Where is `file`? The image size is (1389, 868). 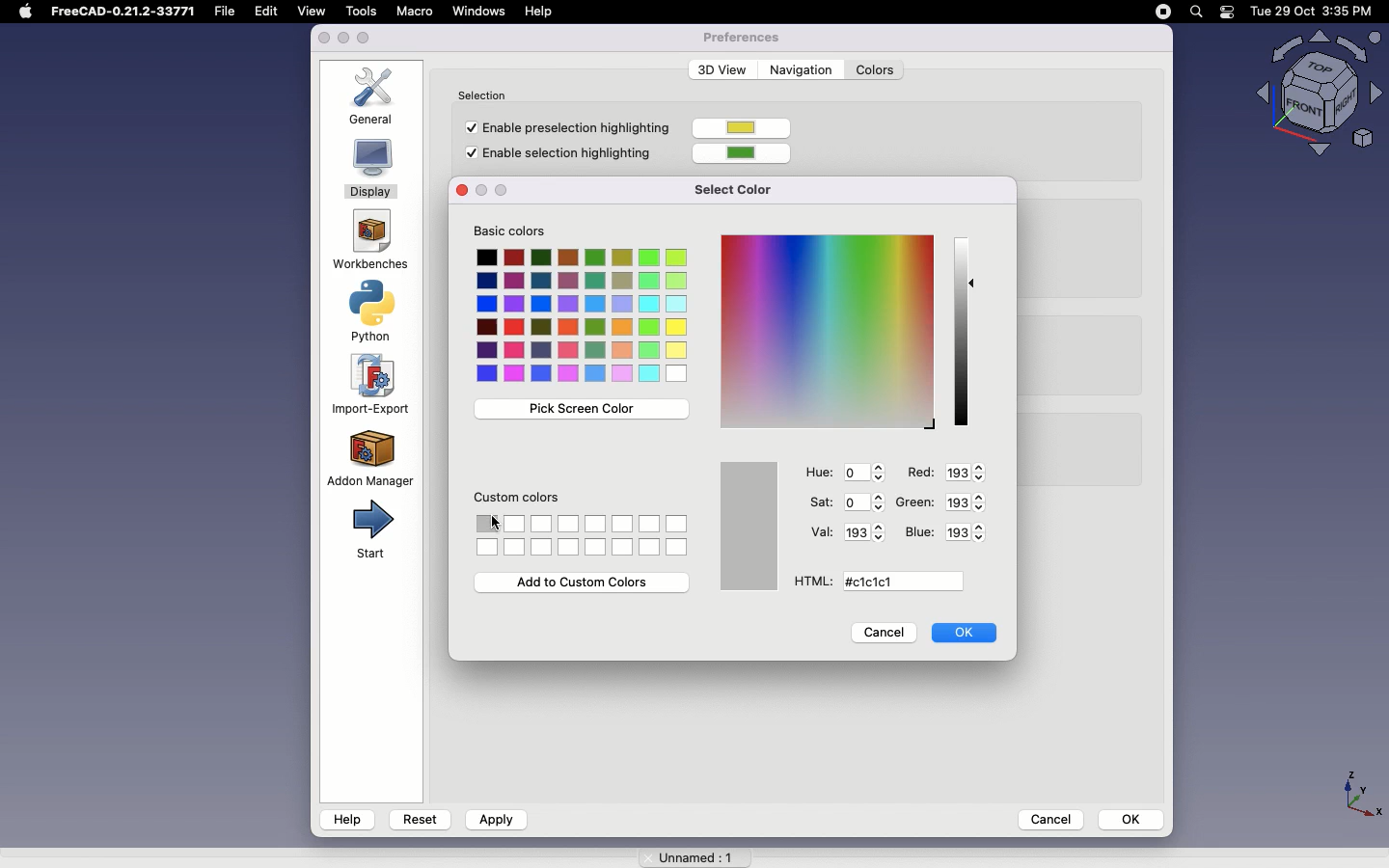 file is located at coordinates (230, 12).